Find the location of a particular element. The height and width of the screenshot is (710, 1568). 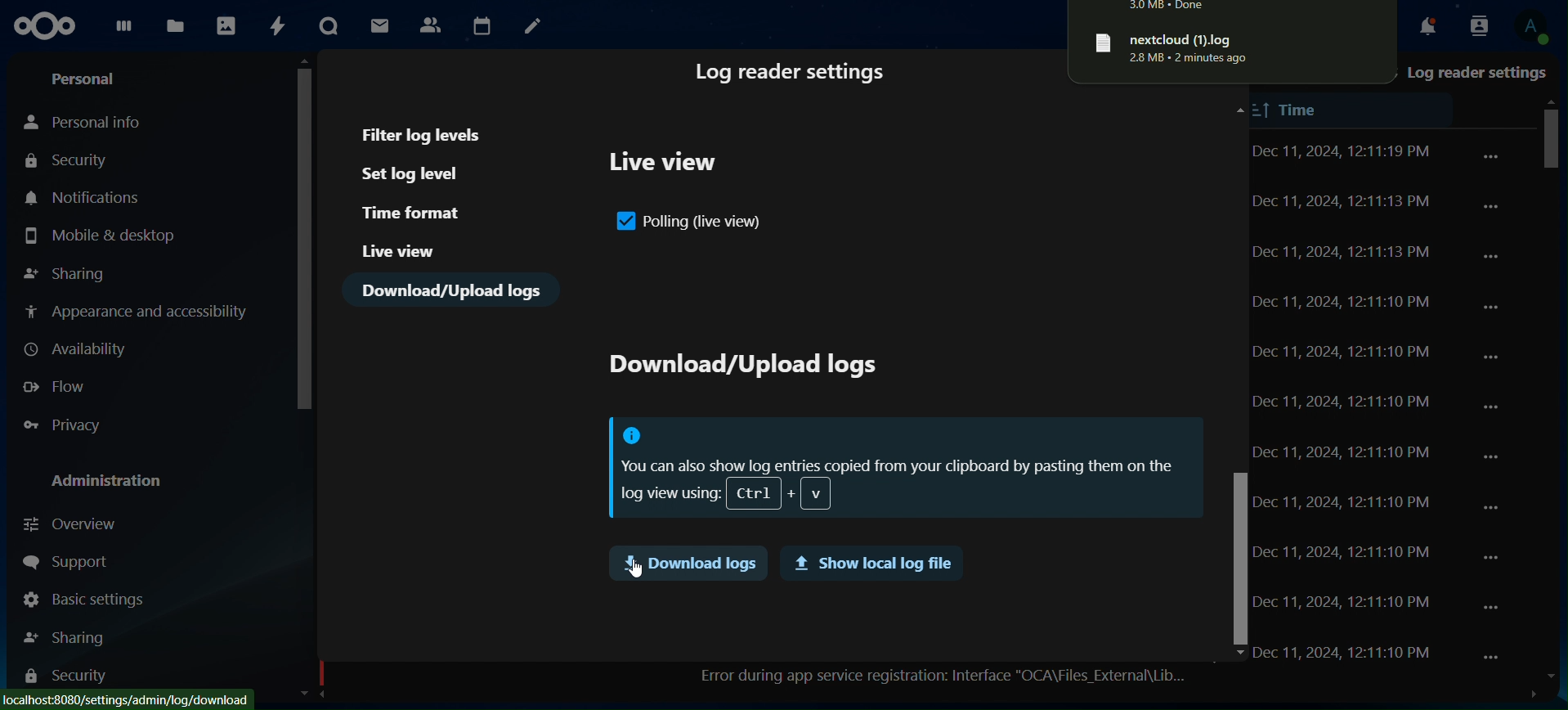

administration is located at coordinates (114, 481).